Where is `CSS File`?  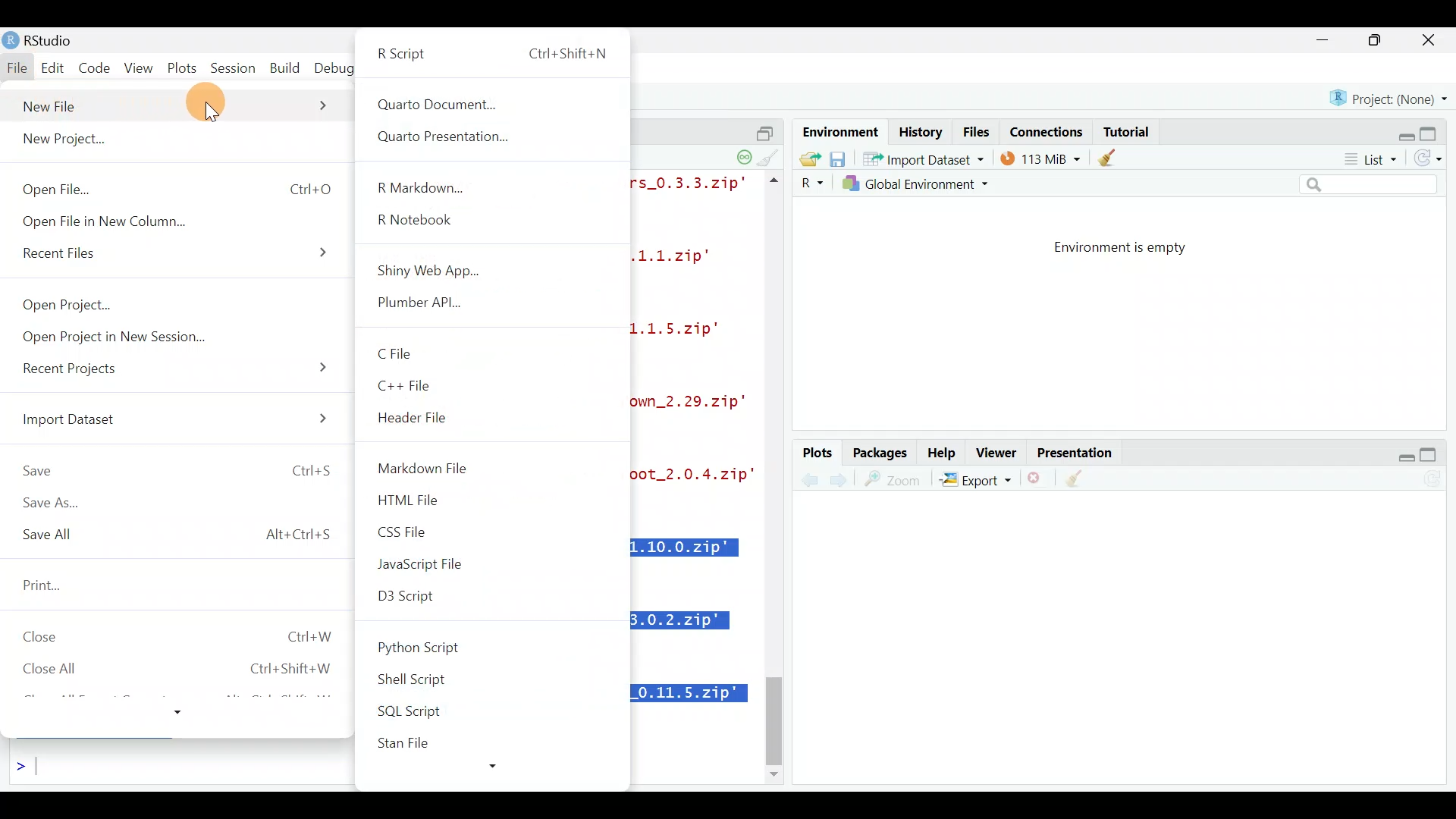 CSS File is located at coordinates (416, 532).